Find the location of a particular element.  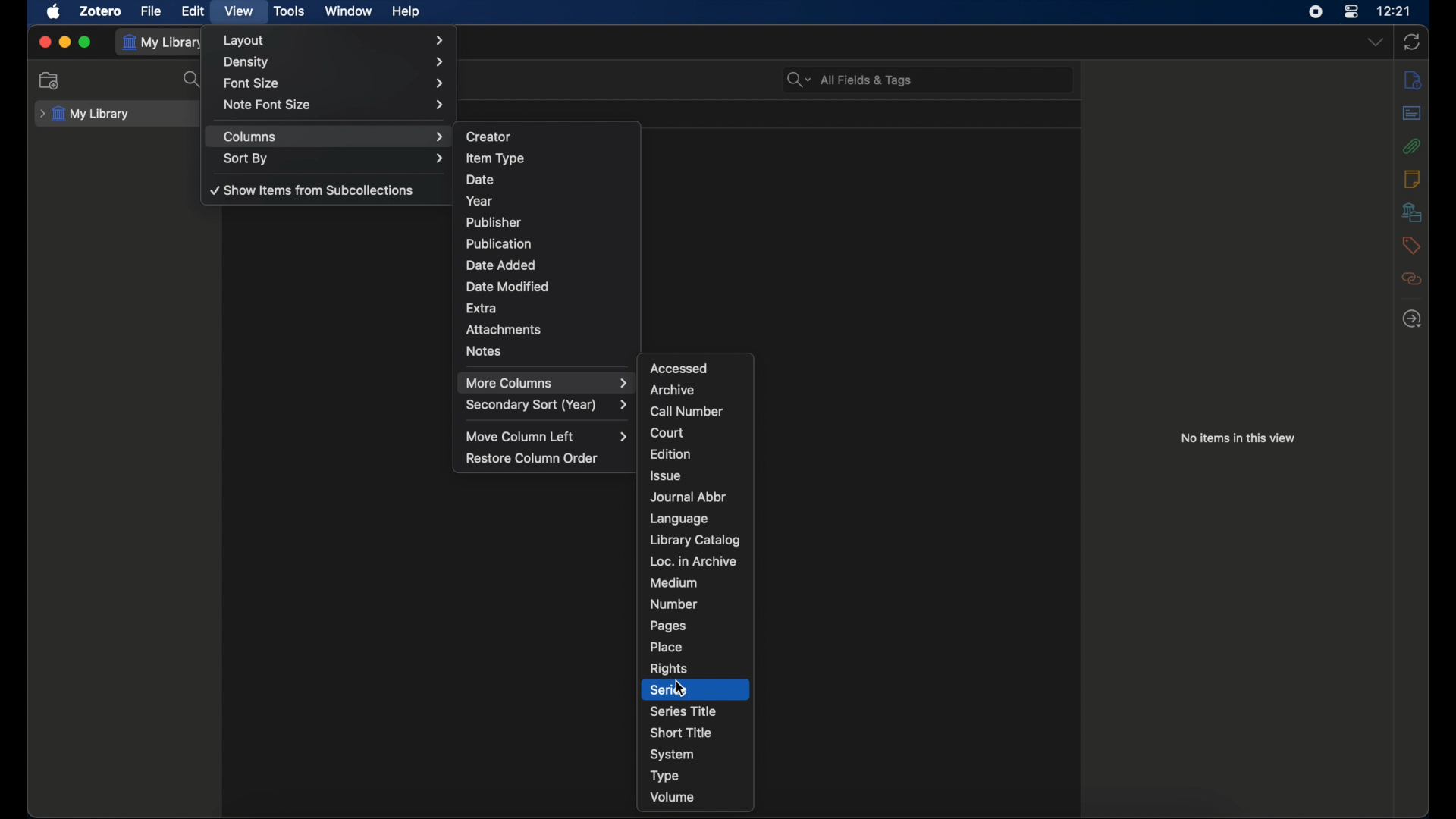

series title is located at coordinates (683, 711).